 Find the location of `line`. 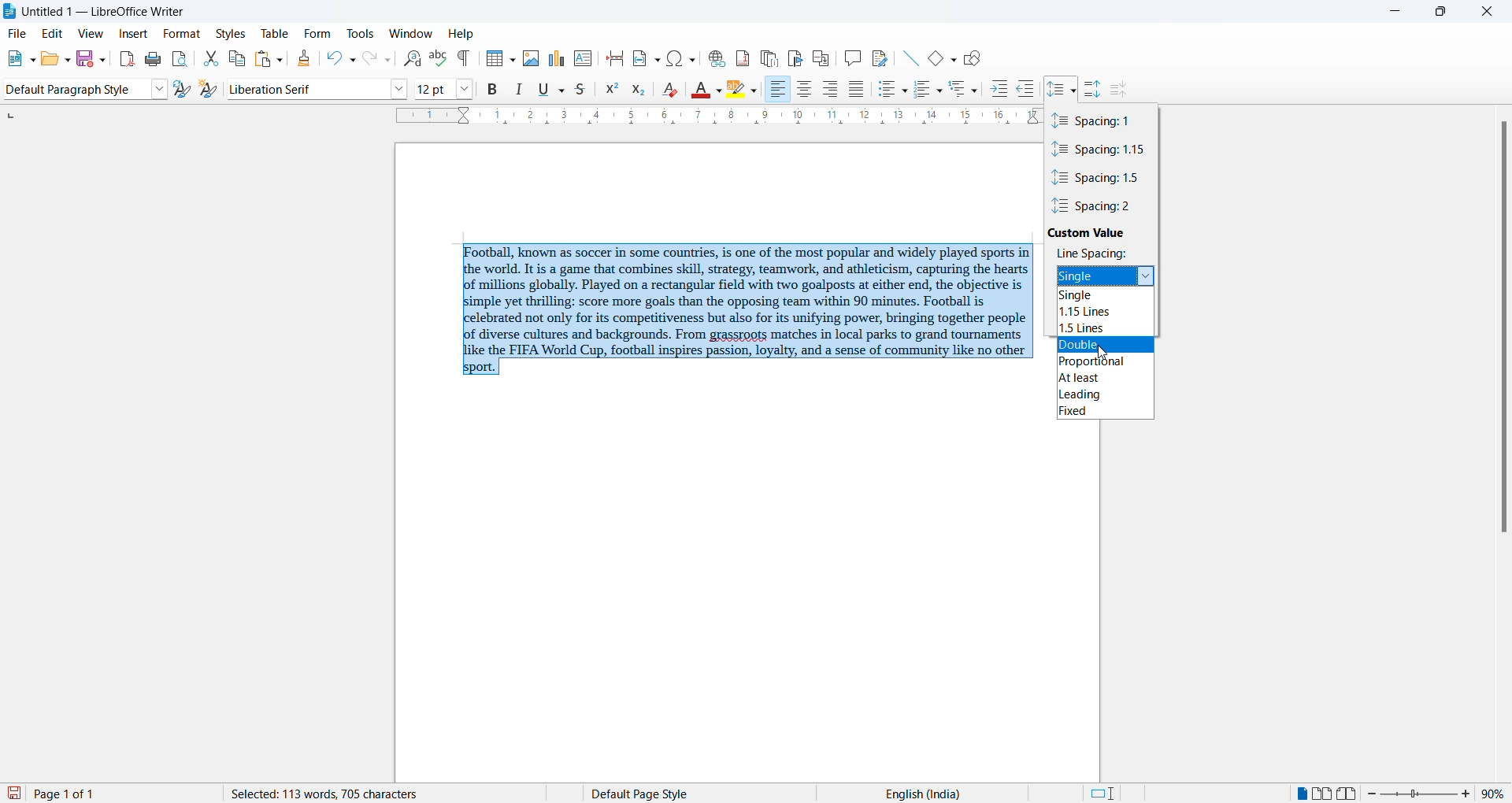

line is located at coordinates (908, 58).